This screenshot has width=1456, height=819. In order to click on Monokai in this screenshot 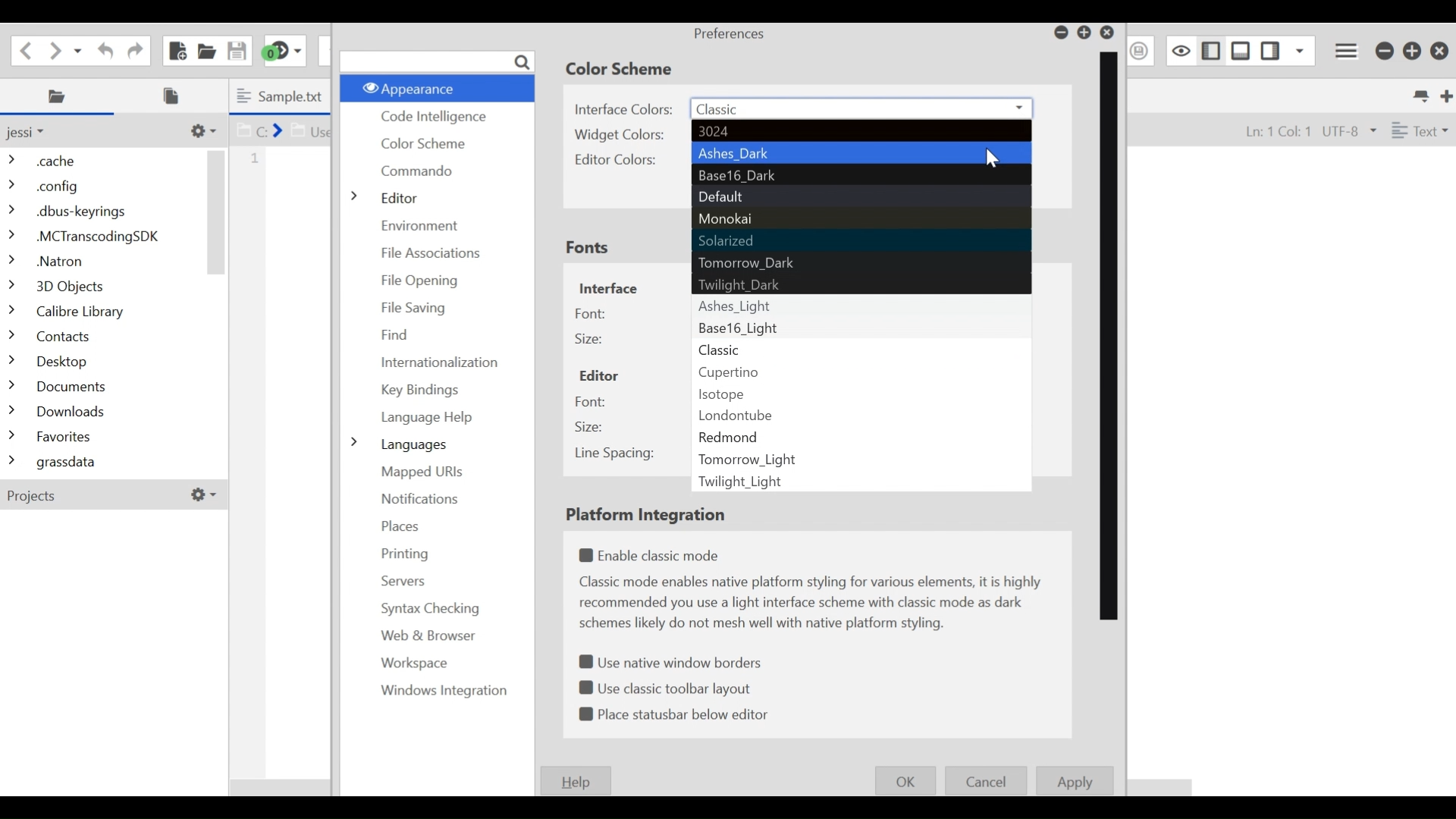, I will do `click(862, 219)`.